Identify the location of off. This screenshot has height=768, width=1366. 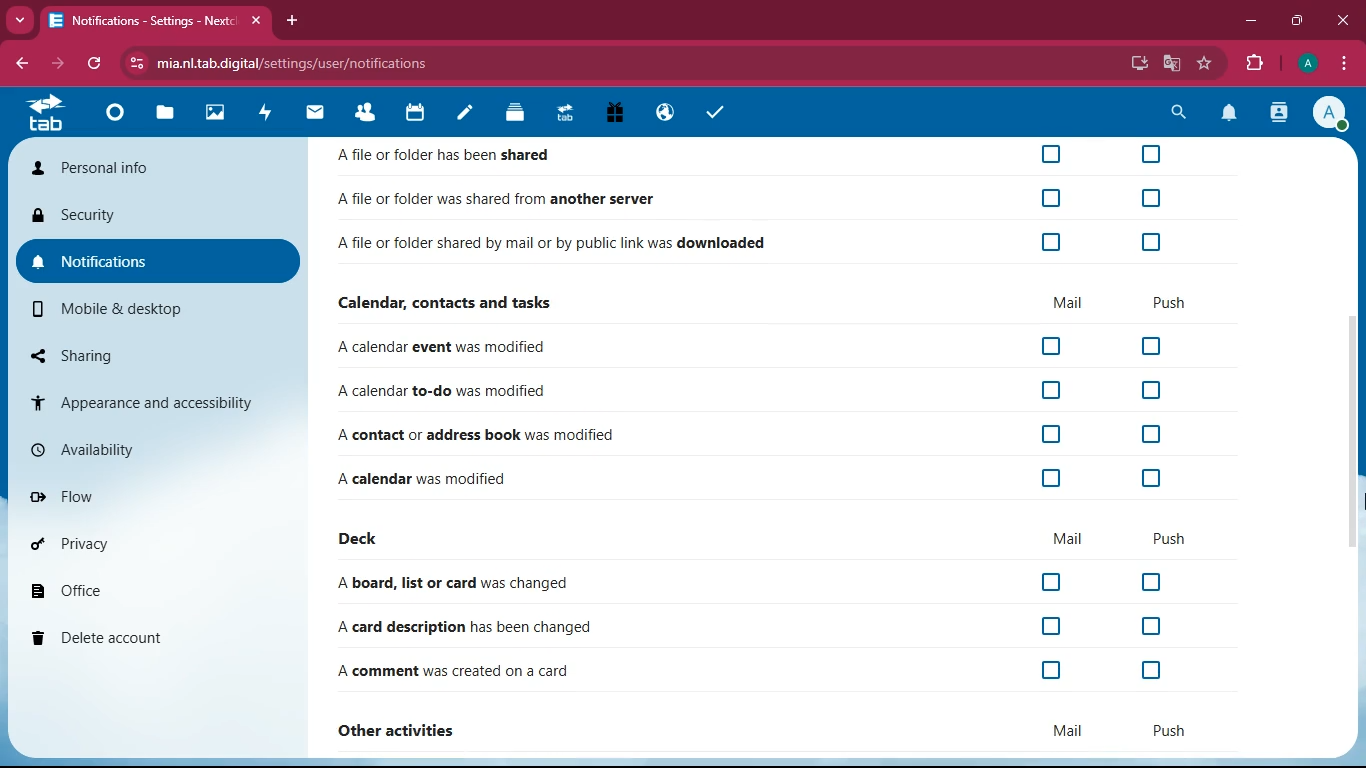
(1149, 627).